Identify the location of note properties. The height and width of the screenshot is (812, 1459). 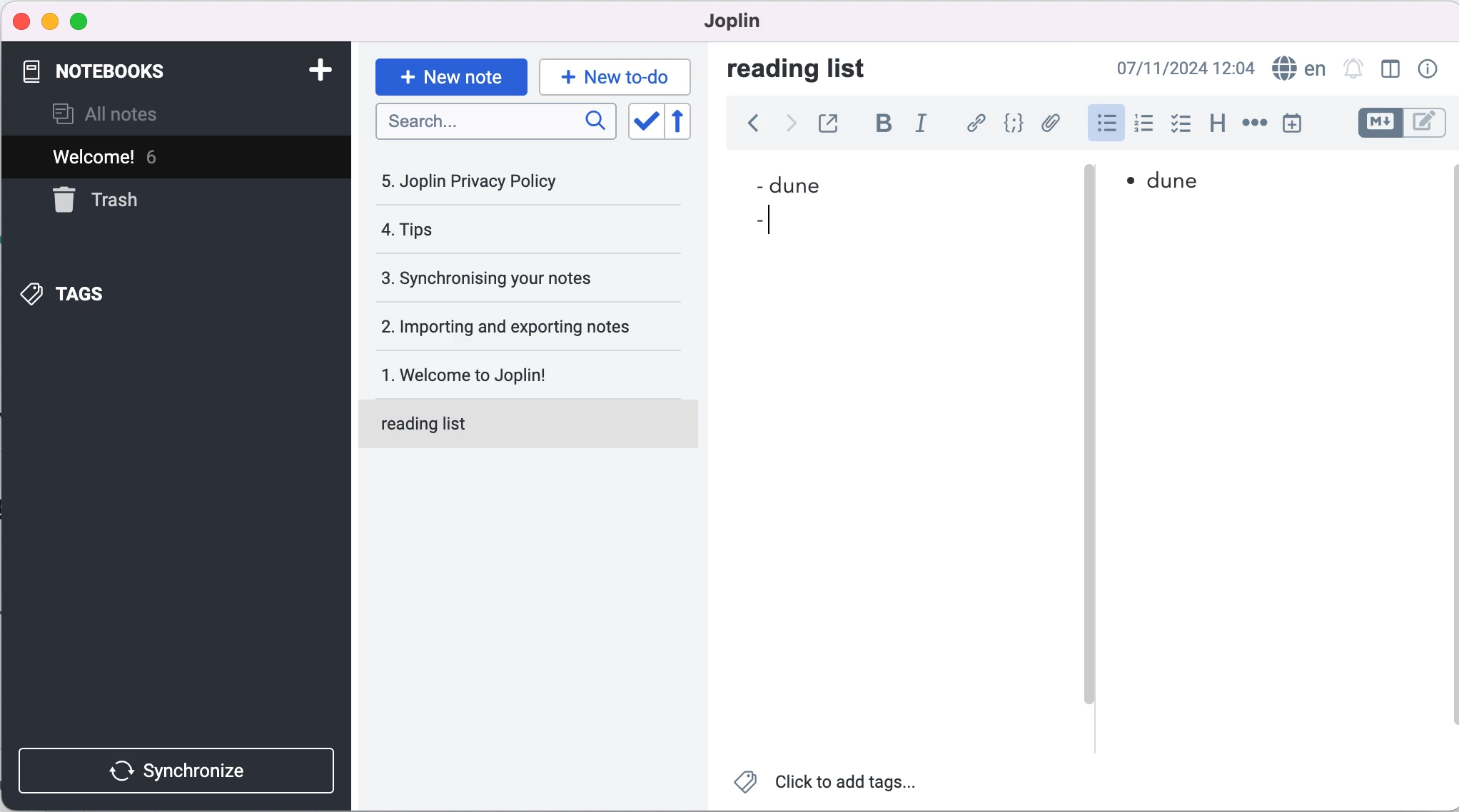
(1432, 68).